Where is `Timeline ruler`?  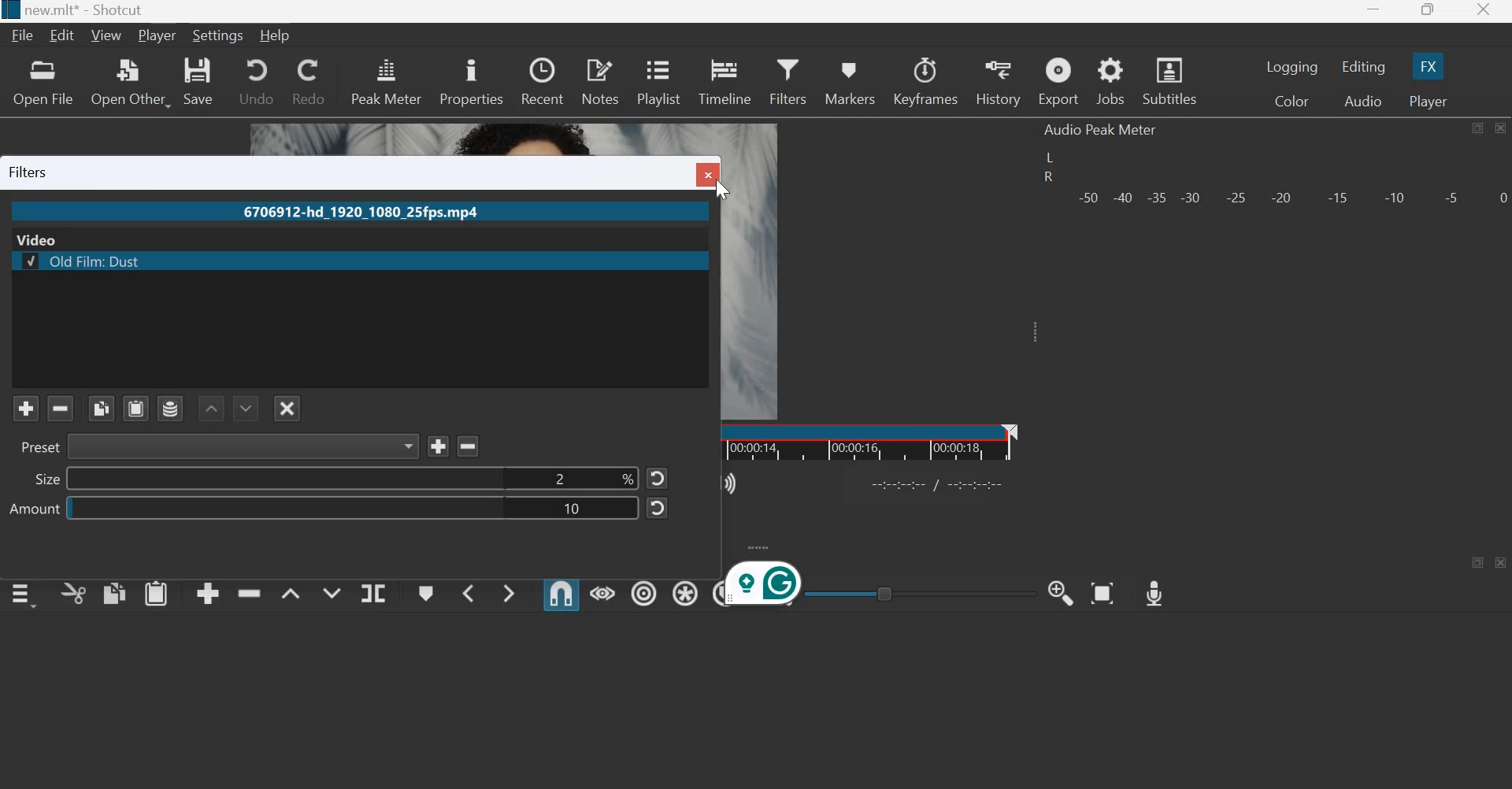 Timeline ruler is located at coordinates (870, 442).